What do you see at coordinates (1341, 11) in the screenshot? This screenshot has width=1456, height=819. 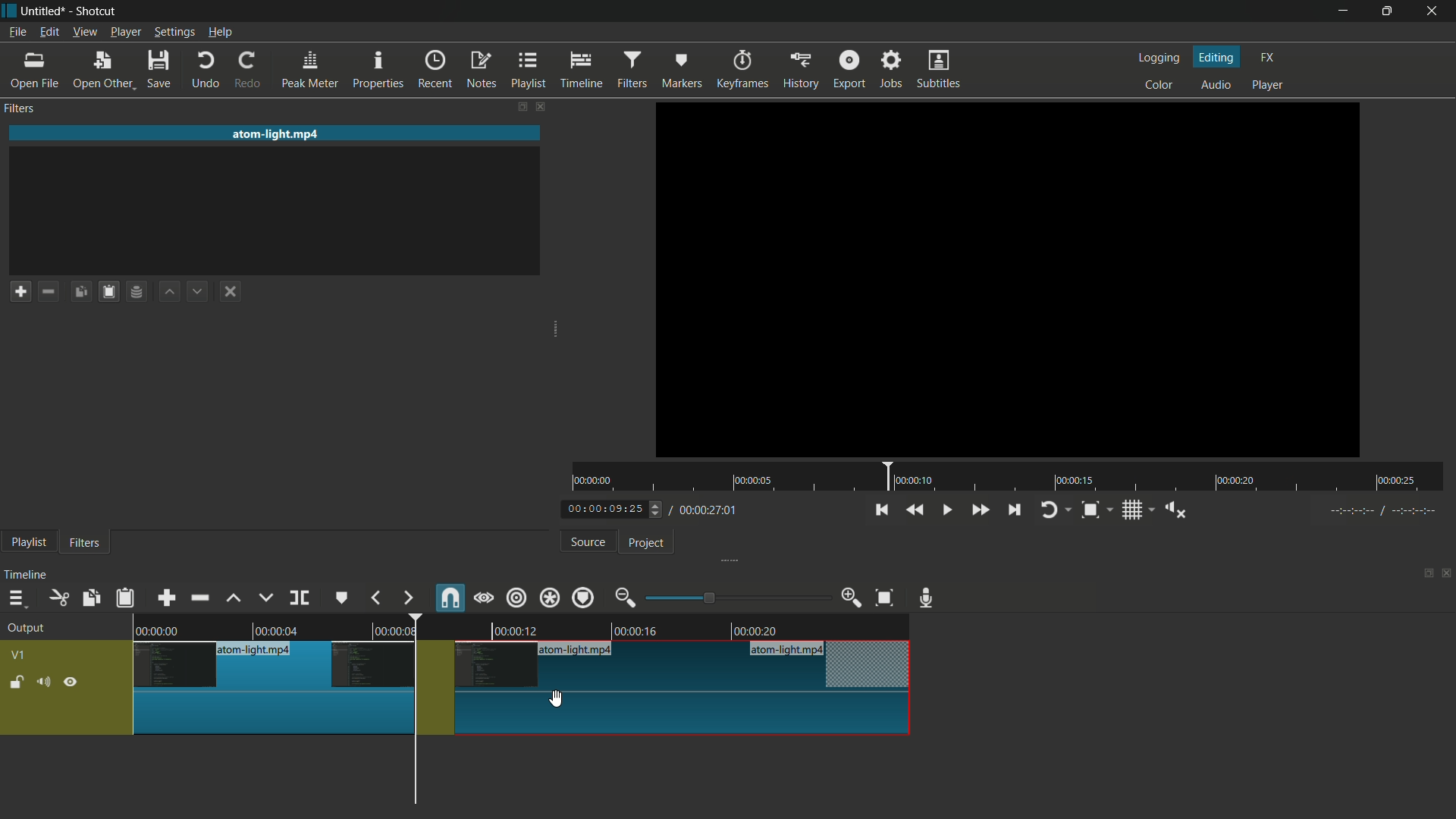 I see `minimize` at bounding box center [1341, 11].